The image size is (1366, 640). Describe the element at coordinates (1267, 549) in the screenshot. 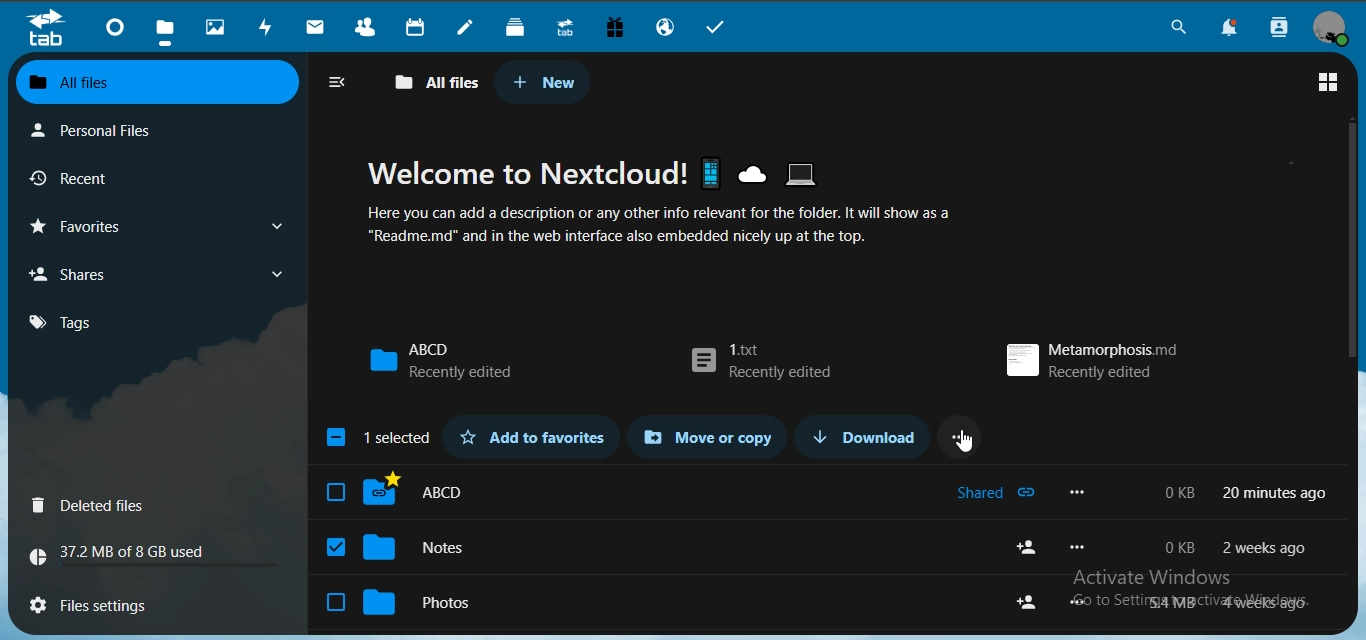

I see `2 weeks ago` at that location.